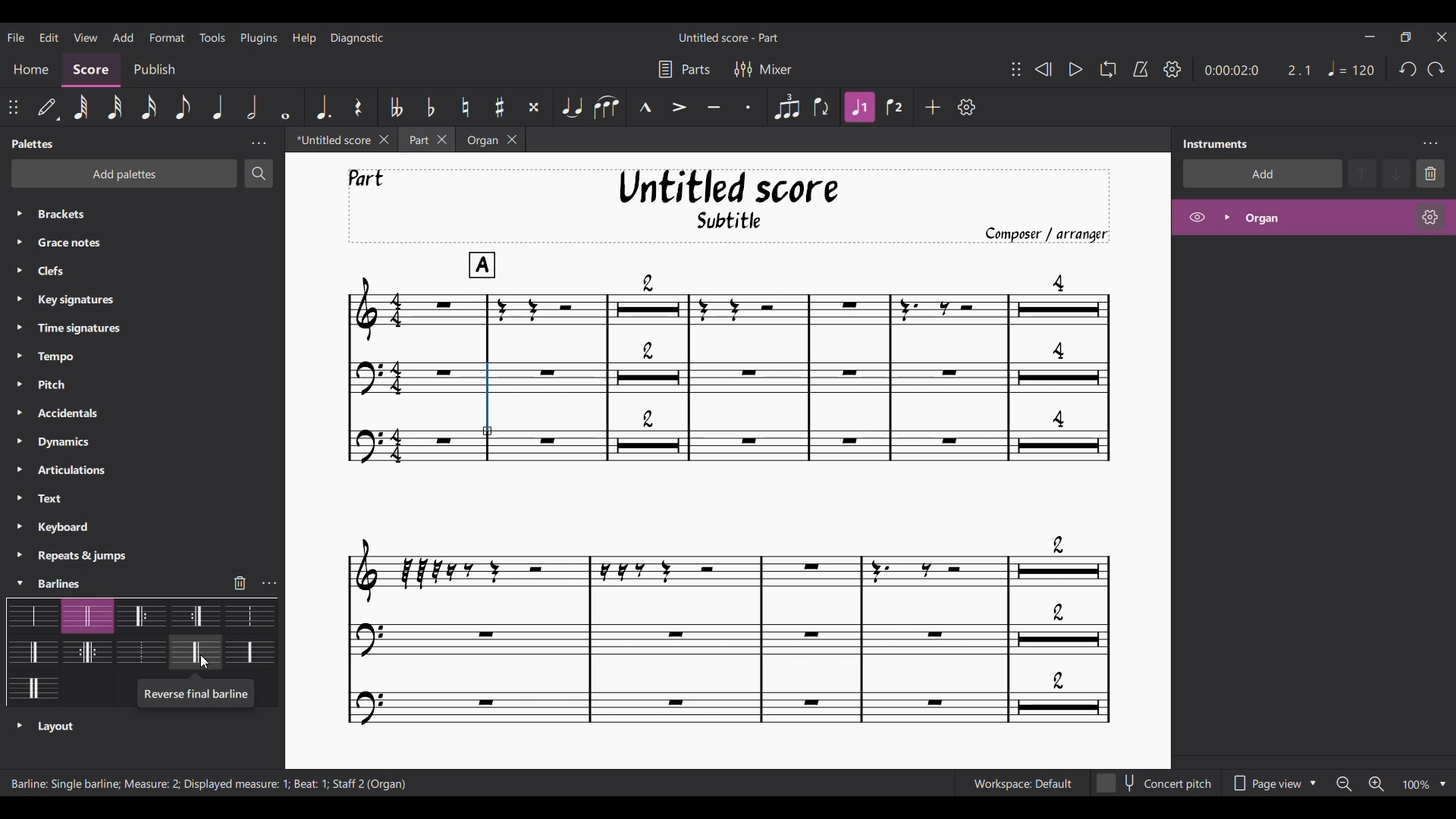 The height and width of the screenshot is (819, 1456). Describe the element at coordinates (1172, 68) in the screenshot. I see `Playback settings` at that location.